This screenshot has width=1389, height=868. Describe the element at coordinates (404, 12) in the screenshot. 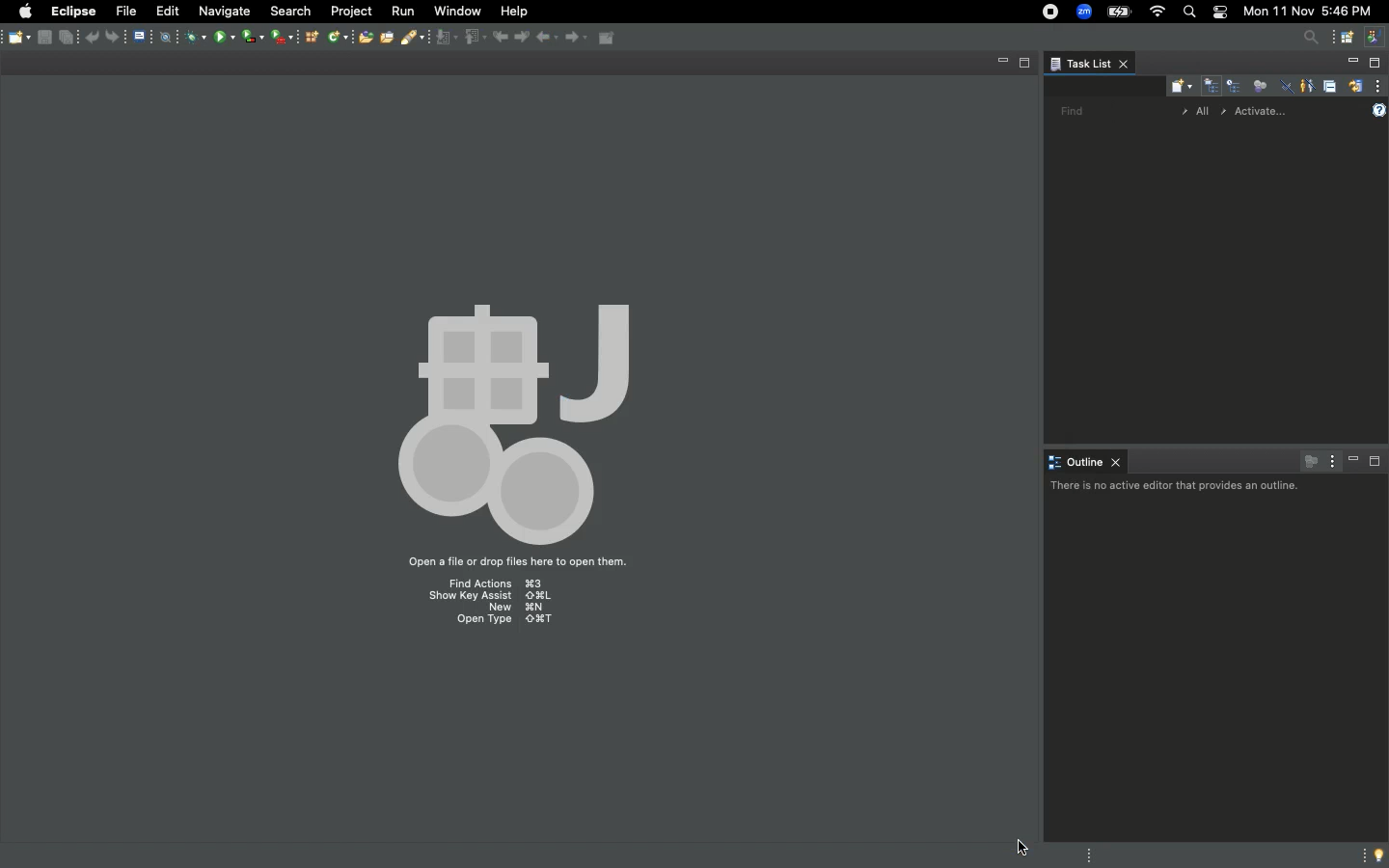

I see `Run` at that location.